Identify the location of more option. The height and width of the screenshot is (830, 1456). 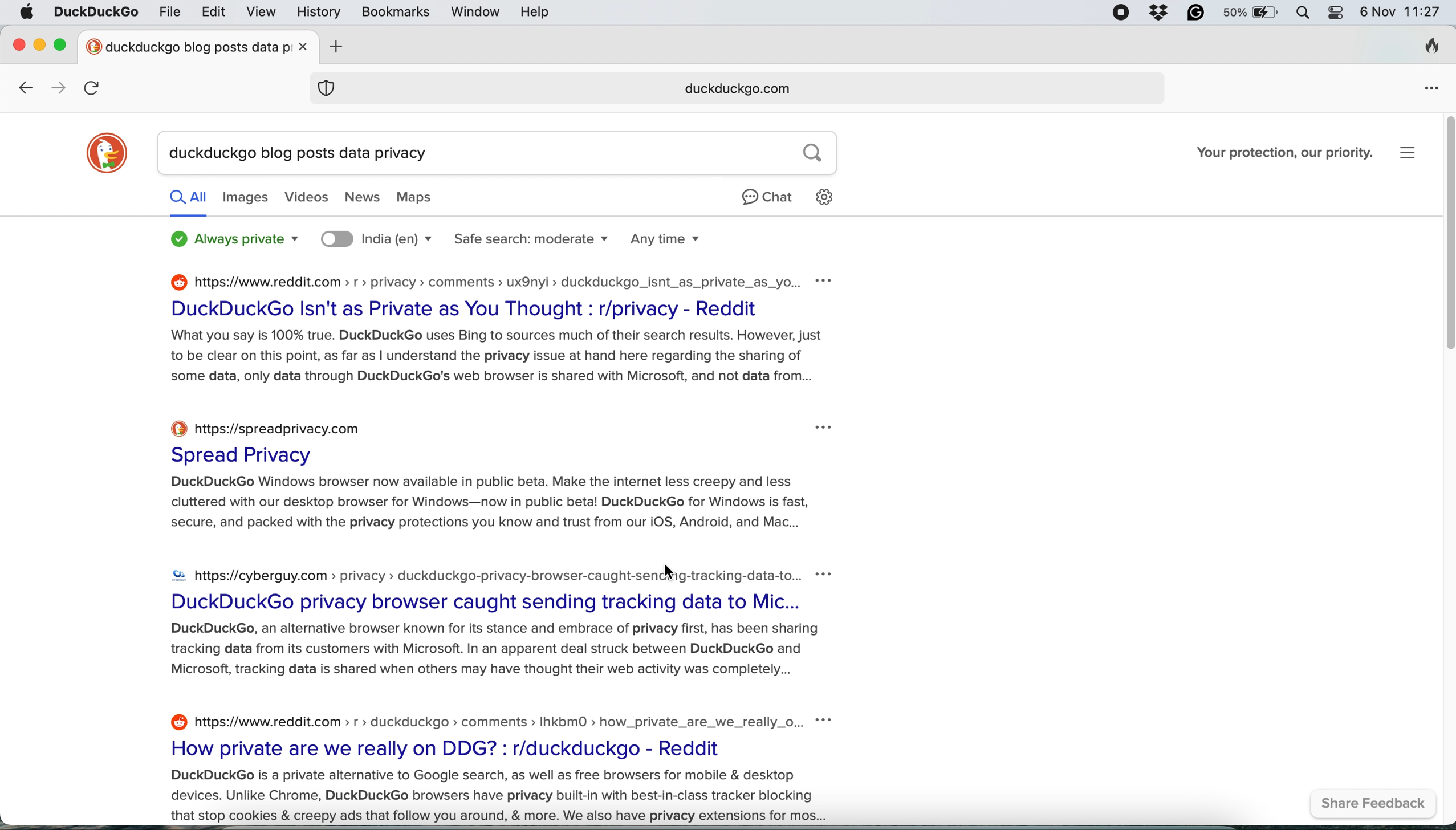
(824, 575).